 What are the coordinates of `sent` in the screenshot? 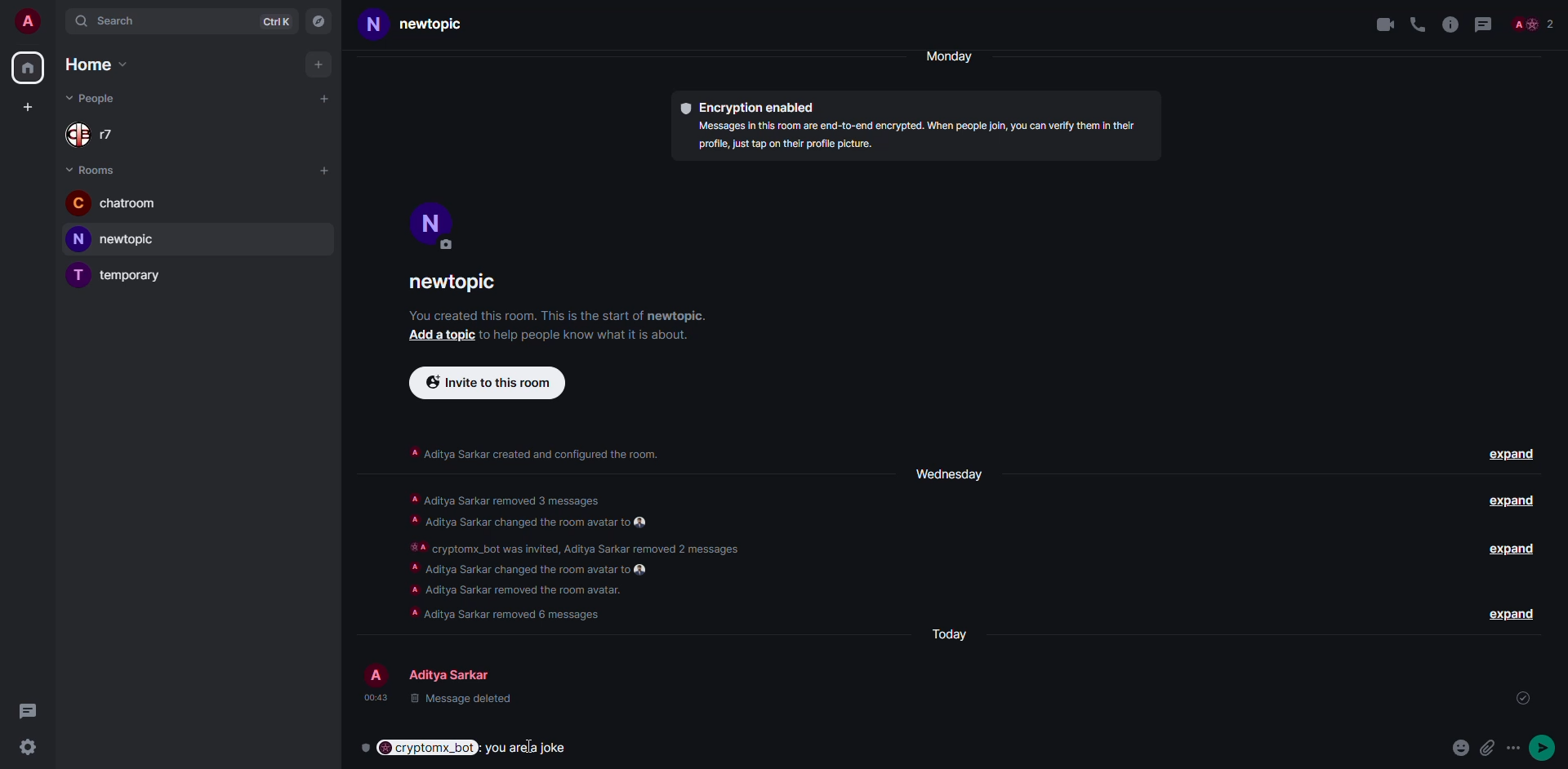 It's located at (1523, 698).